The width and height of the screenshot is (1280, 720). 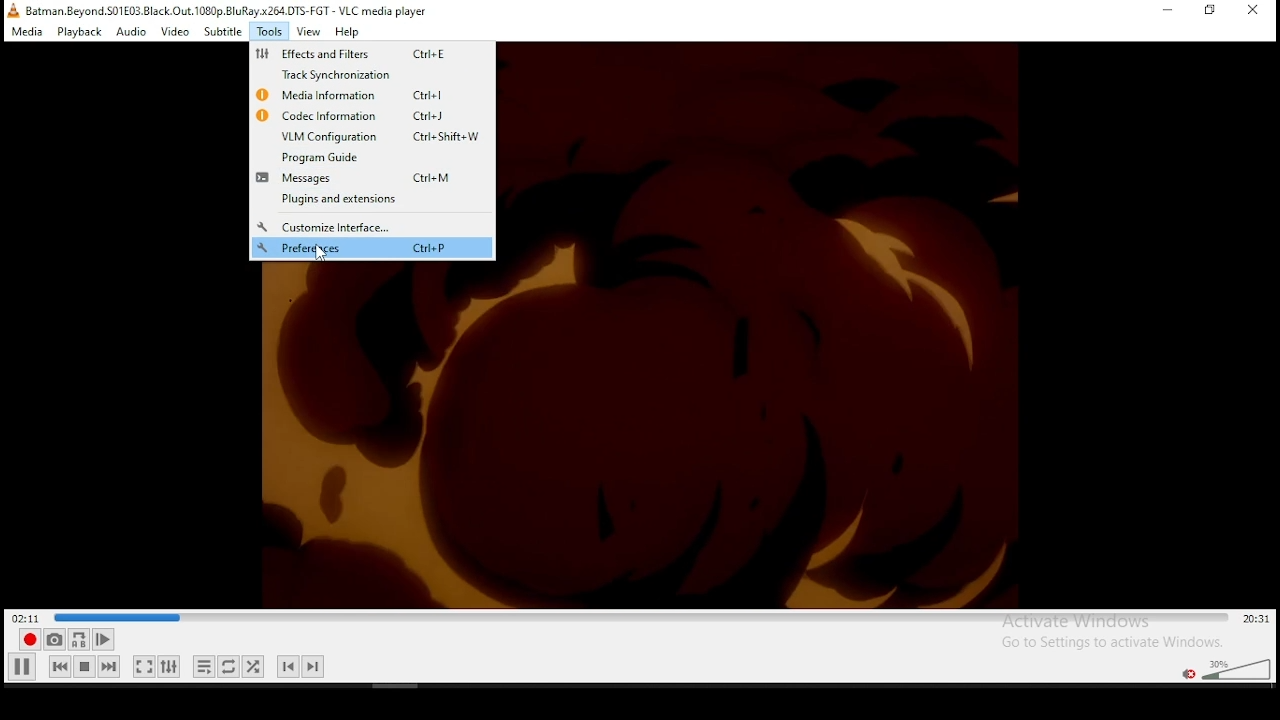 I want to click on previous media in playlist, skips backward when held, so click(x=60, y=666).